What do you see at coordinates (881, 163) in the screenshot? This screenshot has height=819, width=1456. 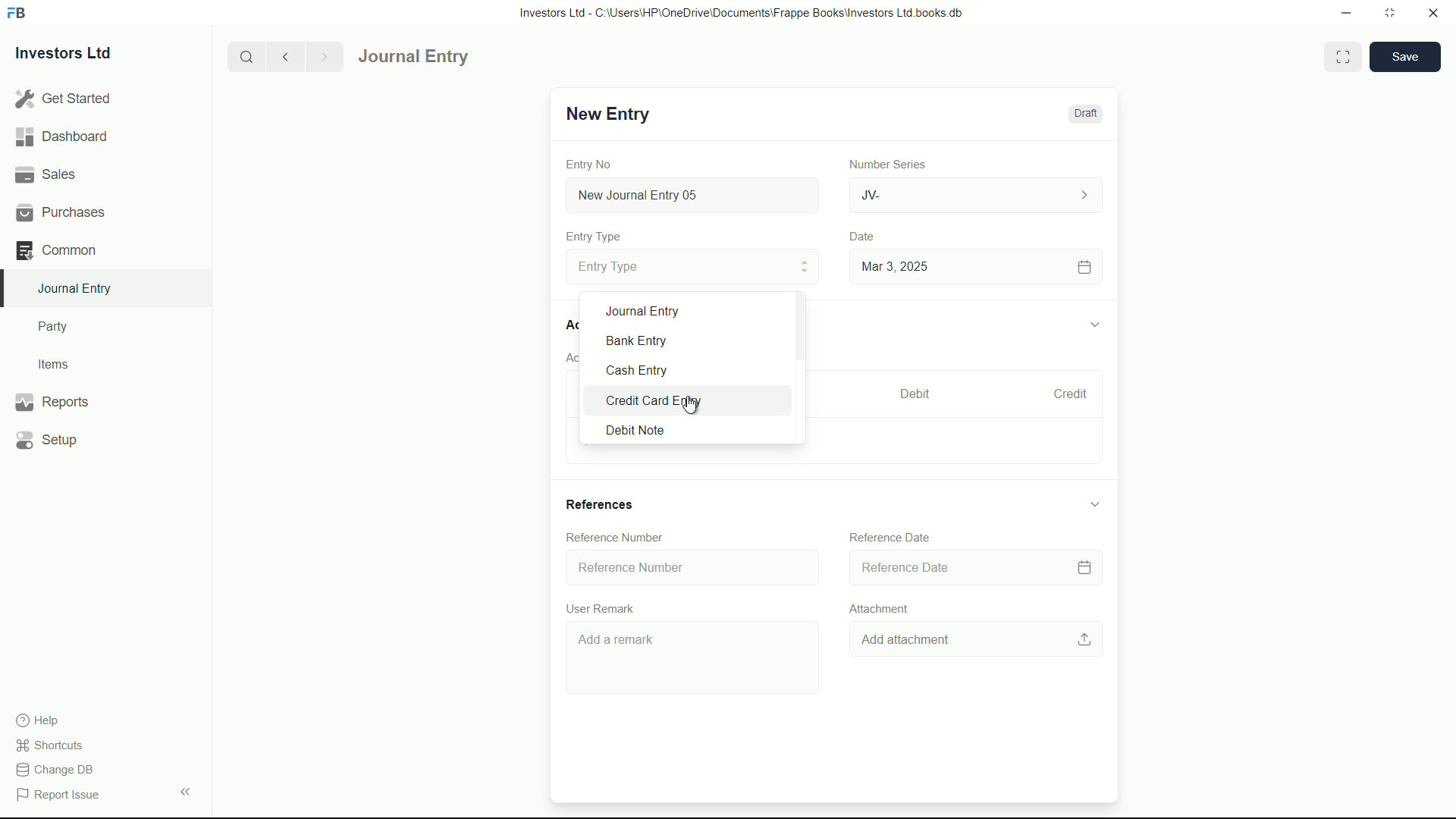 I see `Number Series` at bounding box center [881, 163].